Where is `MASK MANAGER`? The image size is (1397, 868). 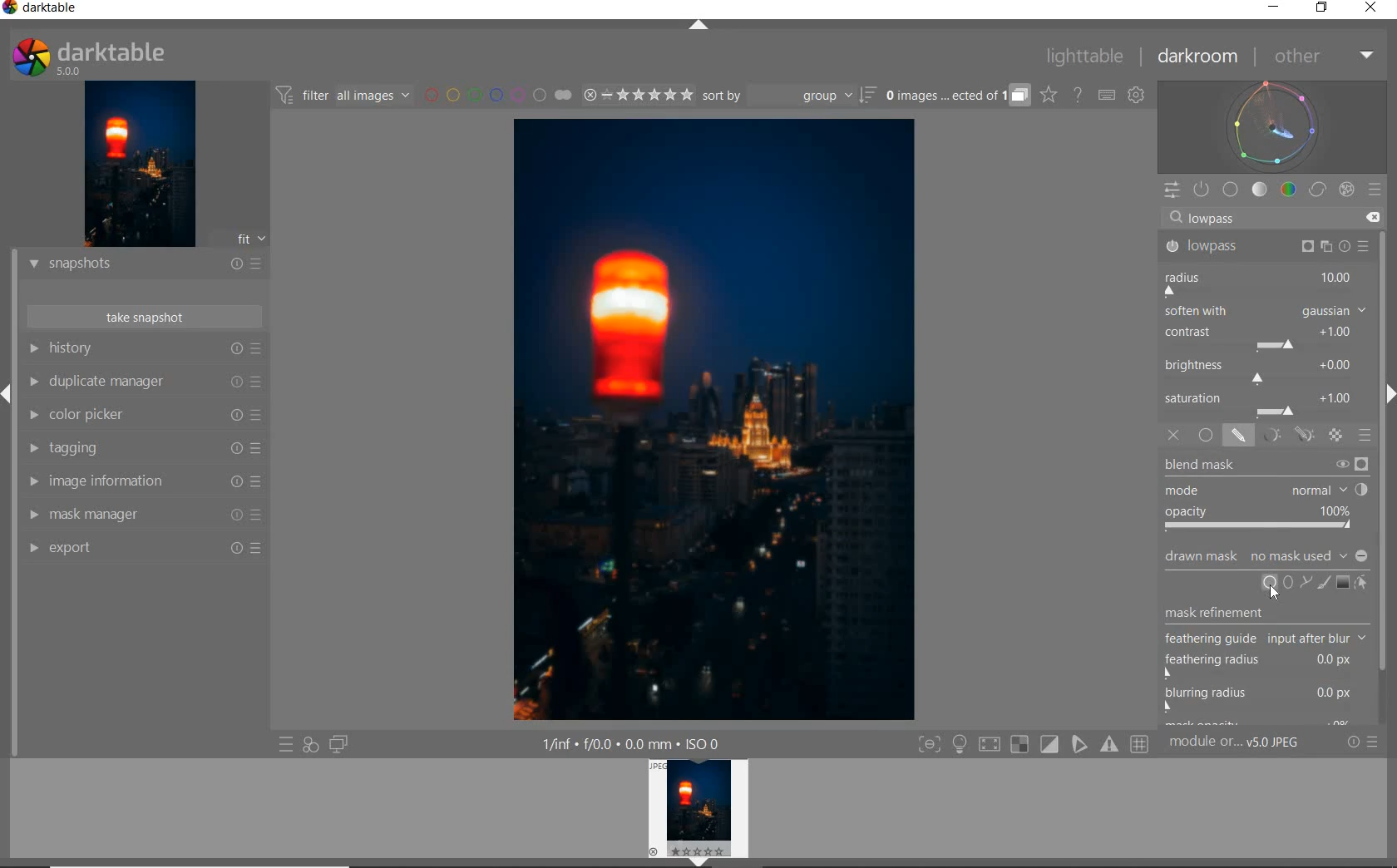
MASK MANAGER is located at coordinates (144, 515).